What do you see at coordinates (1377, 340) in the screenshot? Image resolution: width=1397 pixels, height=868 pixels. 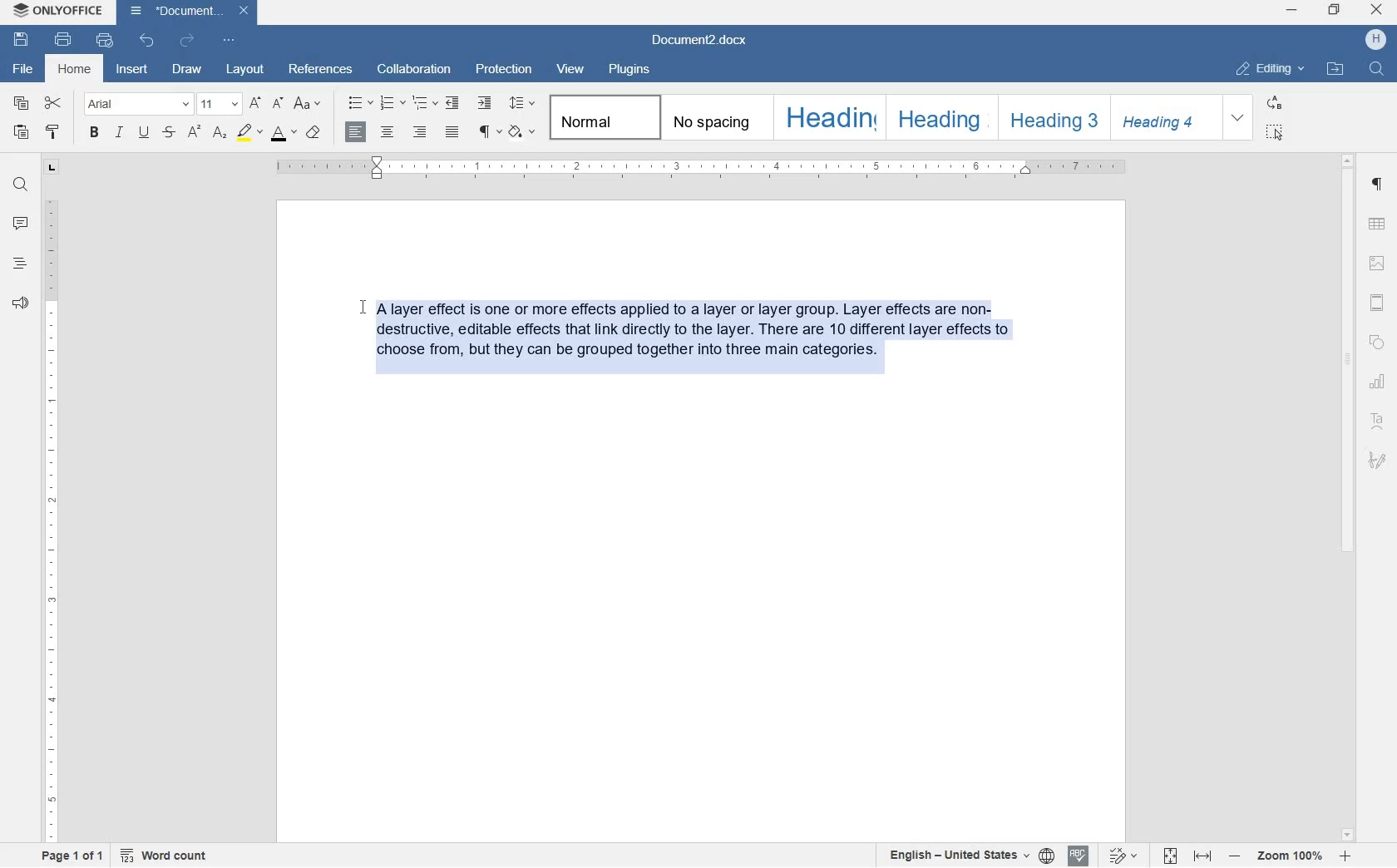 I see `shapes` at bounding box center [1377, 340].